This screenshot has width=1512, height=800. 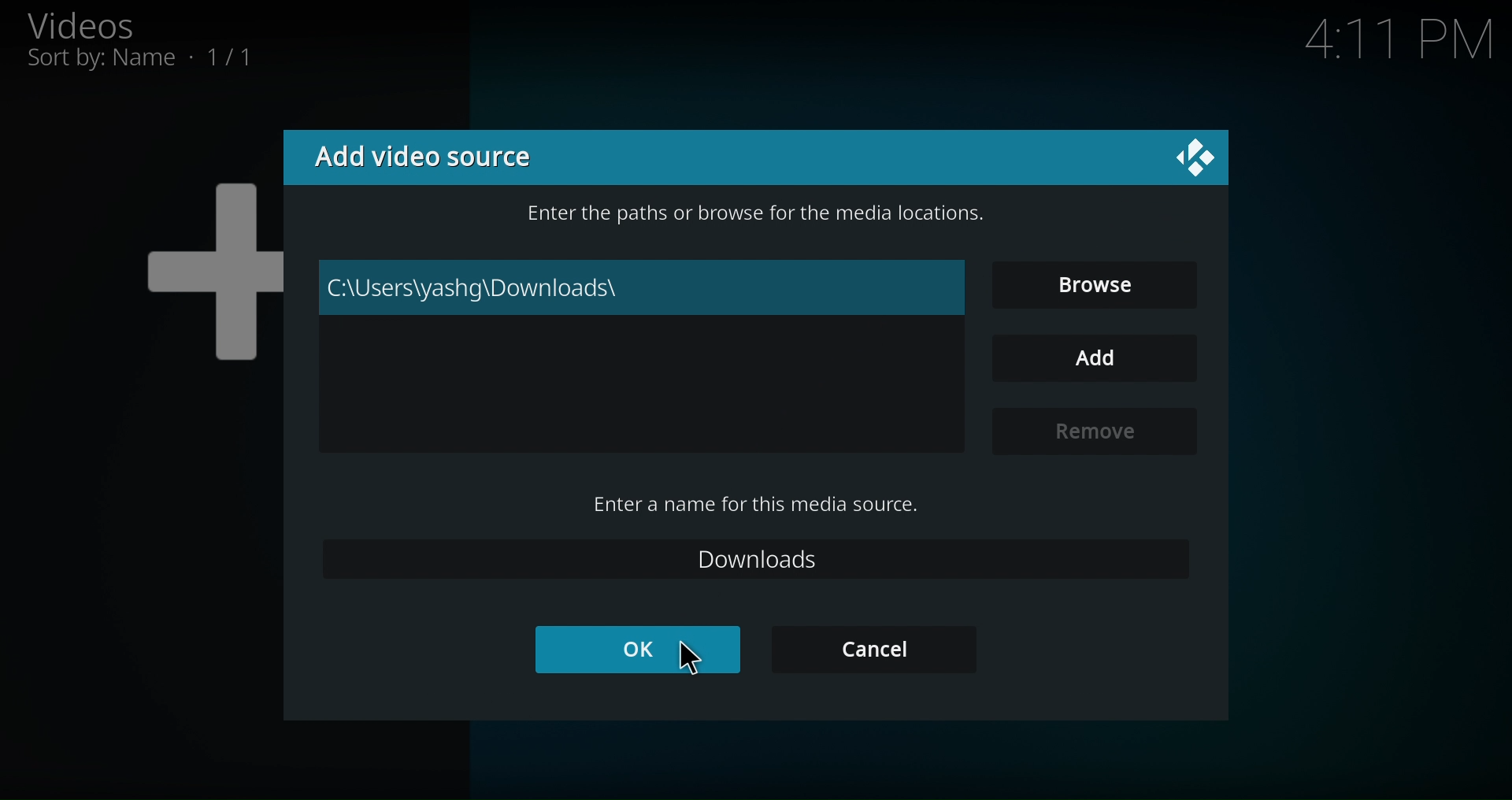 I want to click on Add, so click(x=1091, y=357).